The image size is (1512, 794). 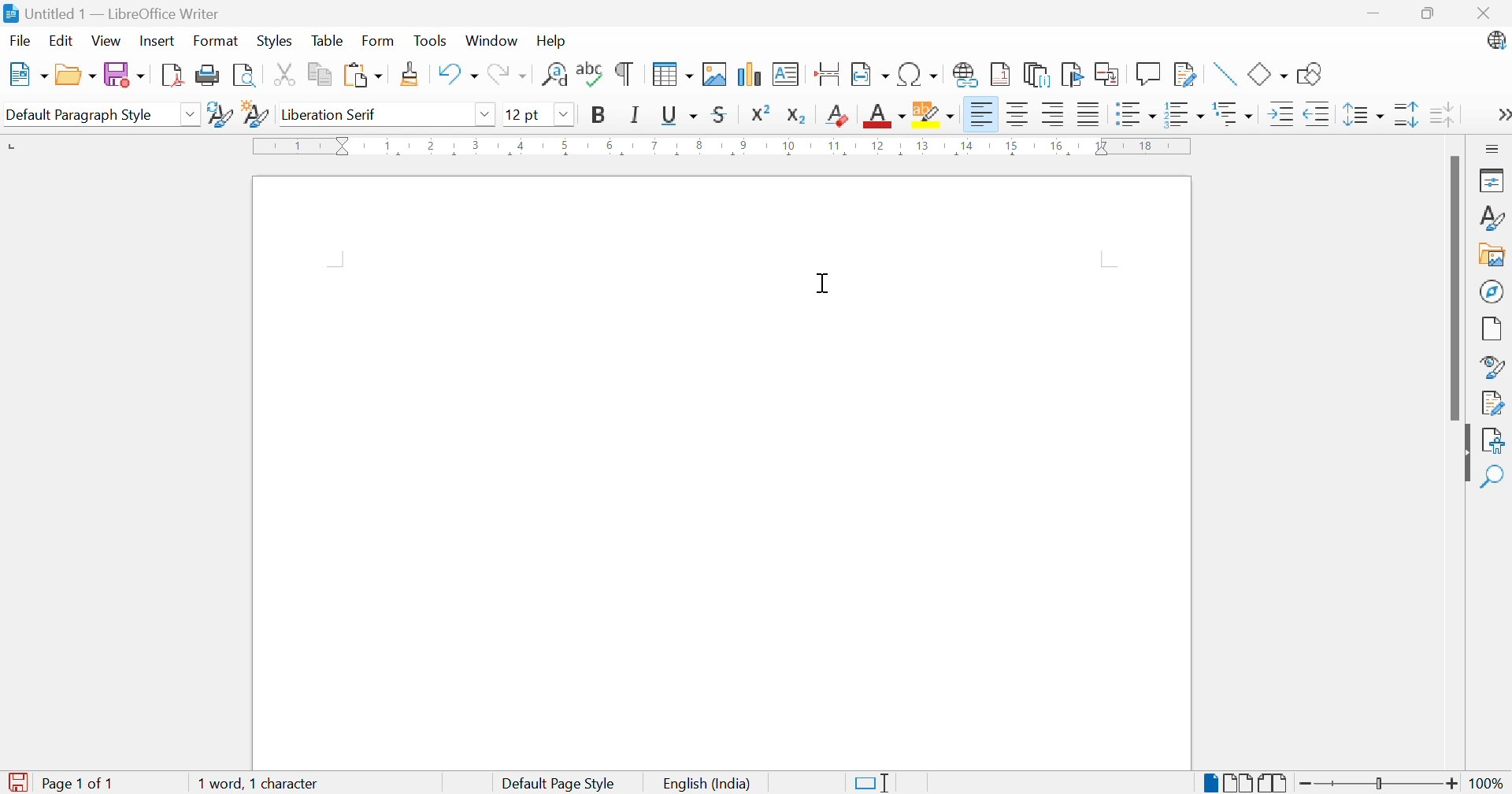 I want to click on Font Color, so click(x=882, y=116).